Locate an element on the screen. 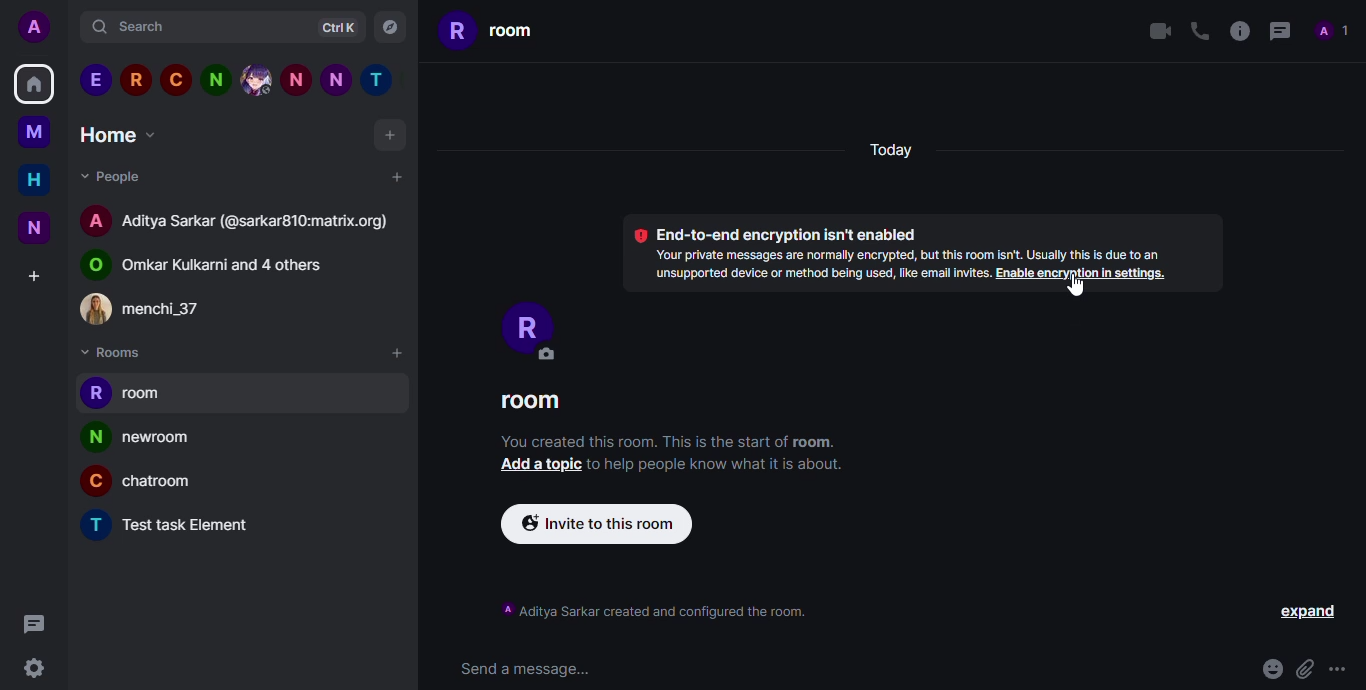 The height and width of the screenshot is (690, 1366). Contact shortcut is located at coordinates (176, 78).